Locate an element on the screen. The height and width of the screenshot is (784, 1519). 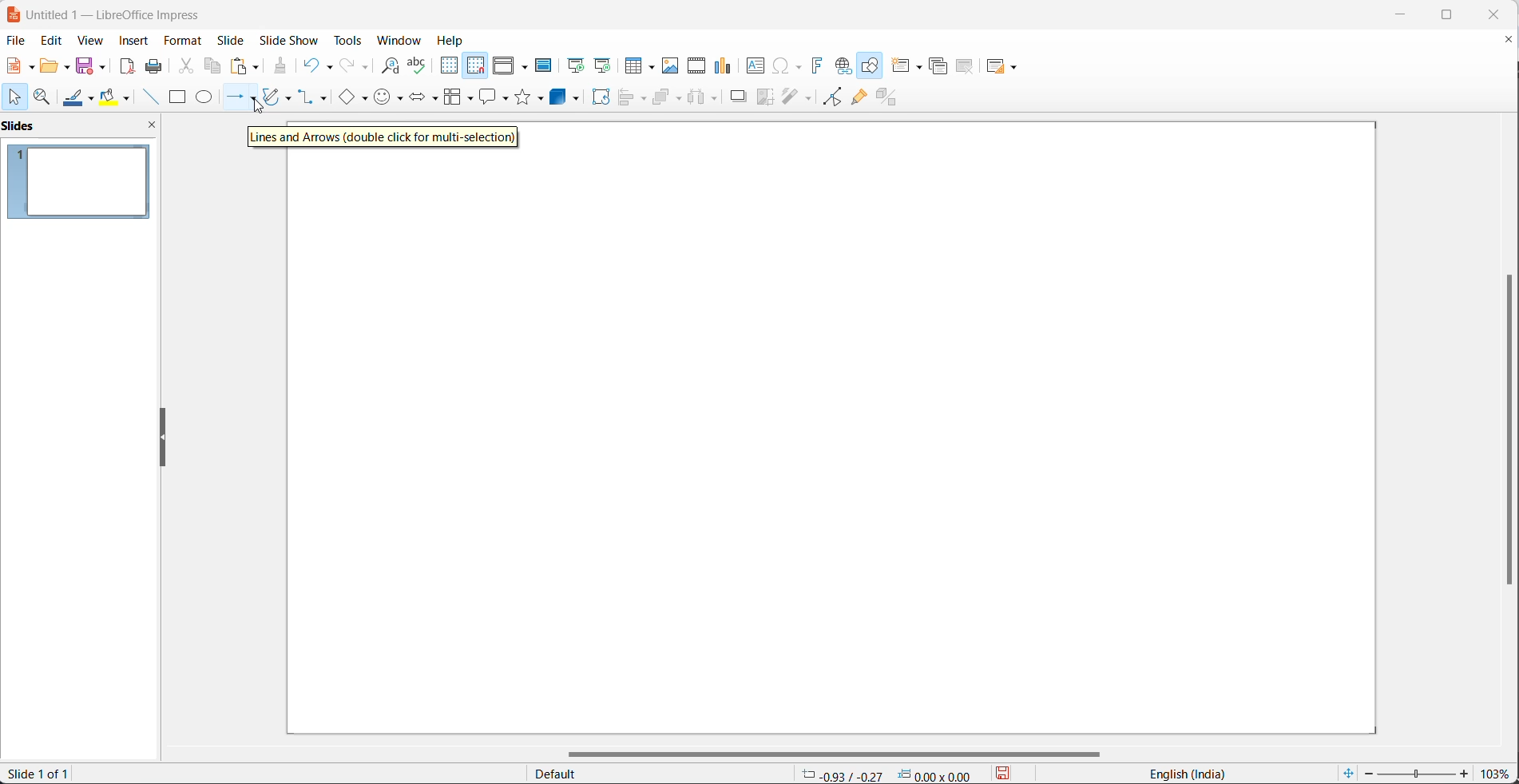
curve and polygons is located at coordinates (280, 95).